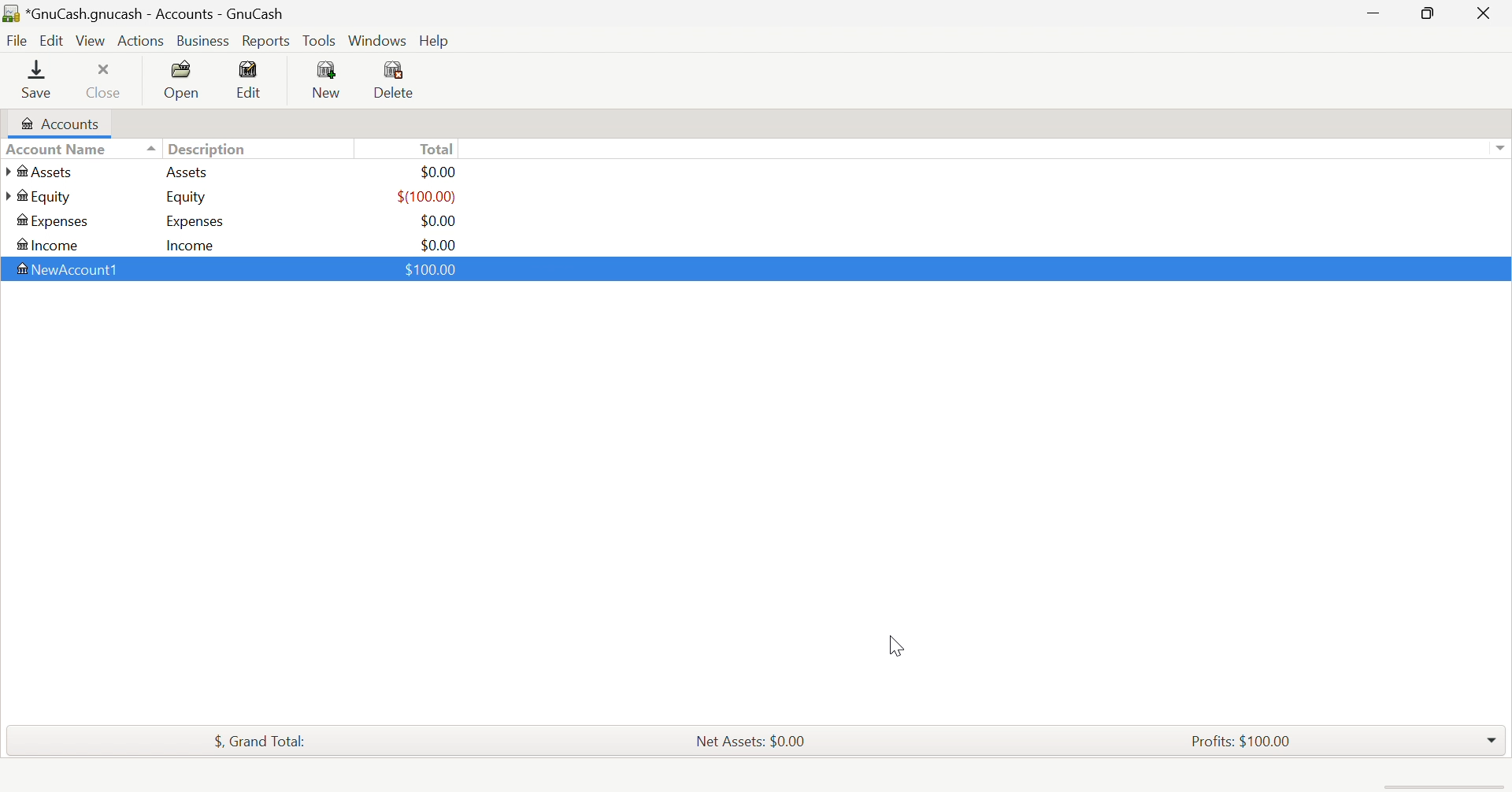  I want to click on Open, so click(183, 80).